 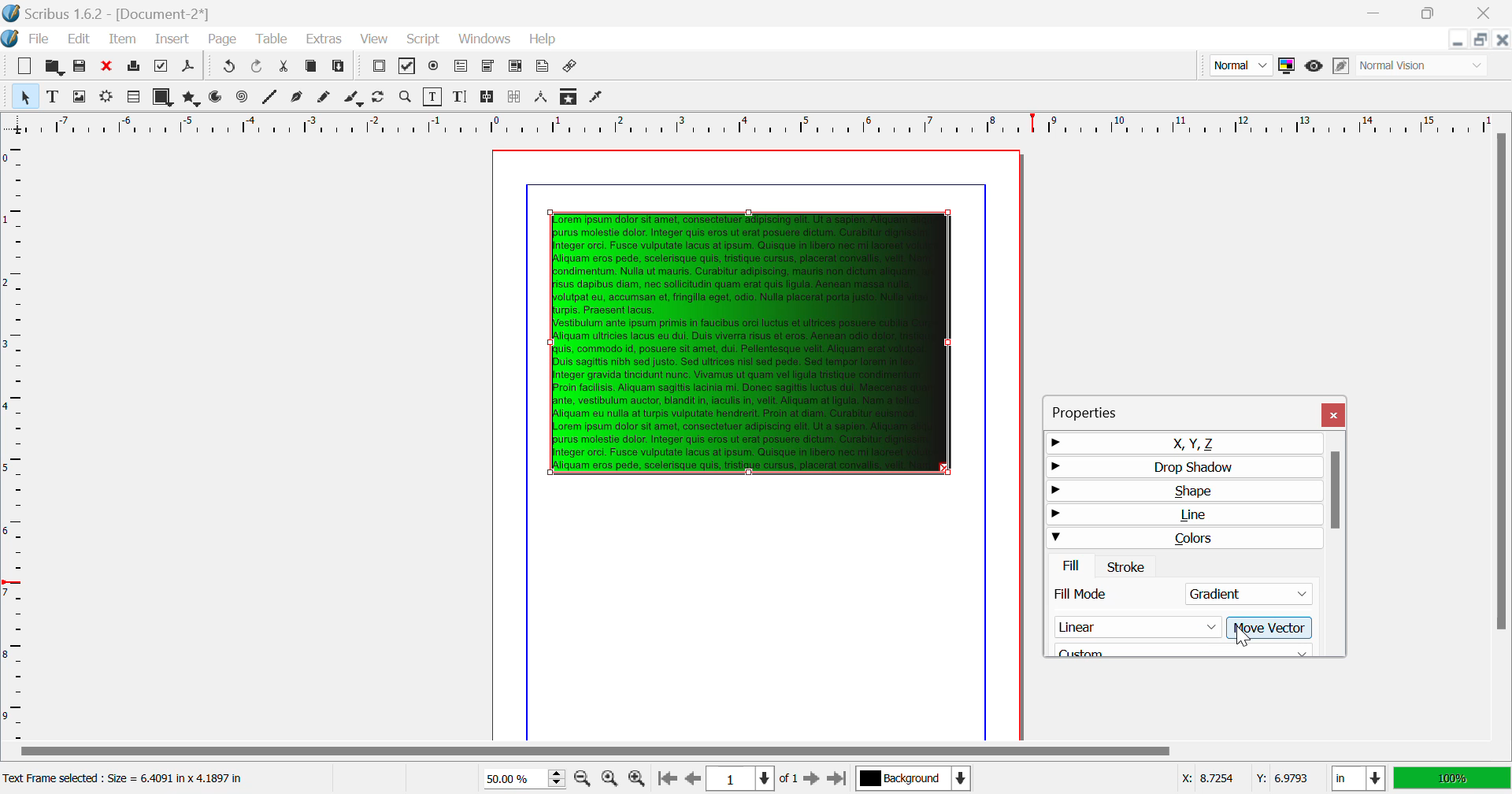 I want to click on Cut, so click(x=285, y=68).